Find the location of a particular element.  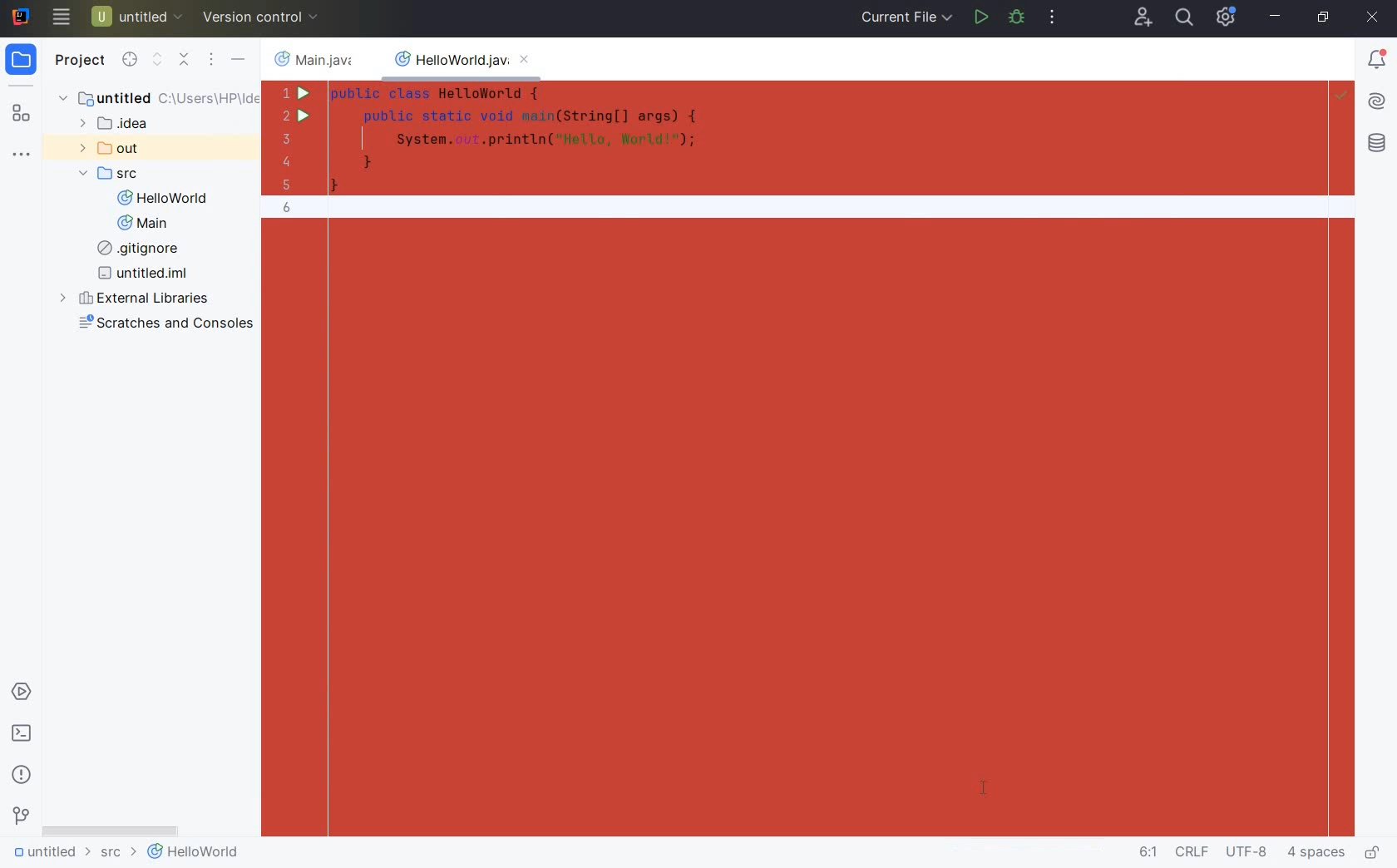

version control is located at coordinates (20, 818).